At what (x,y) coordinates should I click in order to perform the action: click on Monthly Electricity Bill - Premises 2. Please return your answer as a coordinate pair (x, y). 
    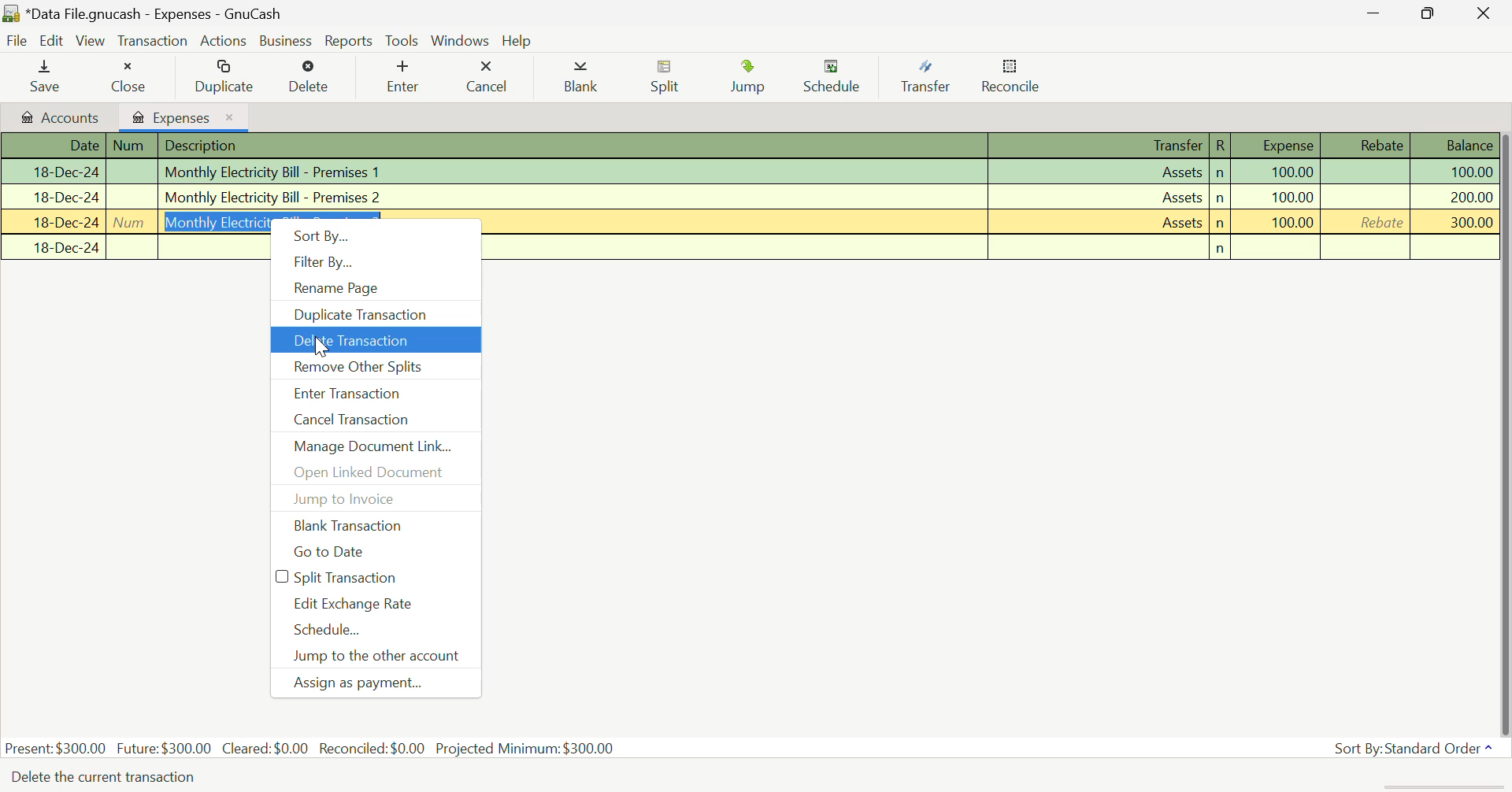
    Looking at the image, I should click on (747, 196).